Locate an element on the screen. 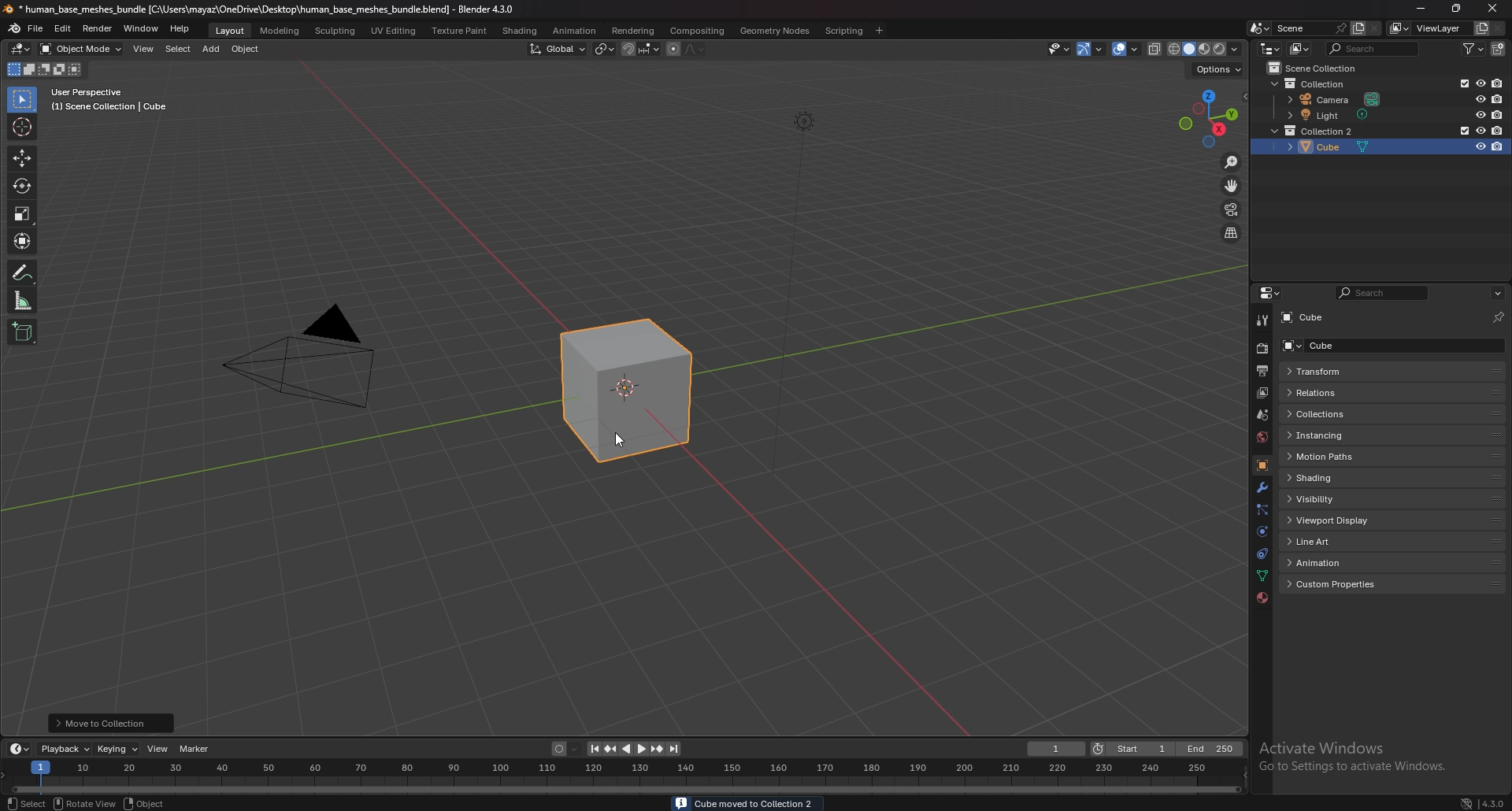 Image resolution: width=1512 pixels, height=811 pixels. disable in renders is located at coordinates (1498, 146).